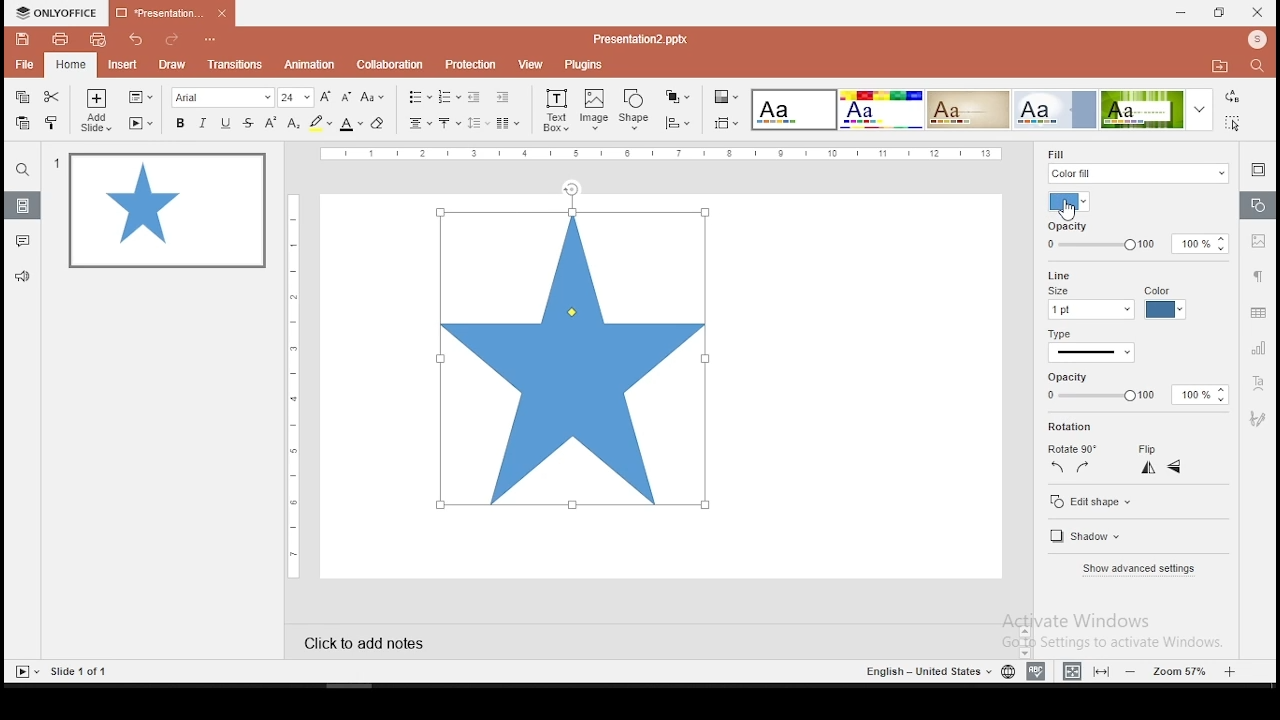 The width and height of the screenshot is (1280, 720). What do you see at coordinates (1220, 13) in the screenshot?
I see `restore` at bounding box center [1220, 13].